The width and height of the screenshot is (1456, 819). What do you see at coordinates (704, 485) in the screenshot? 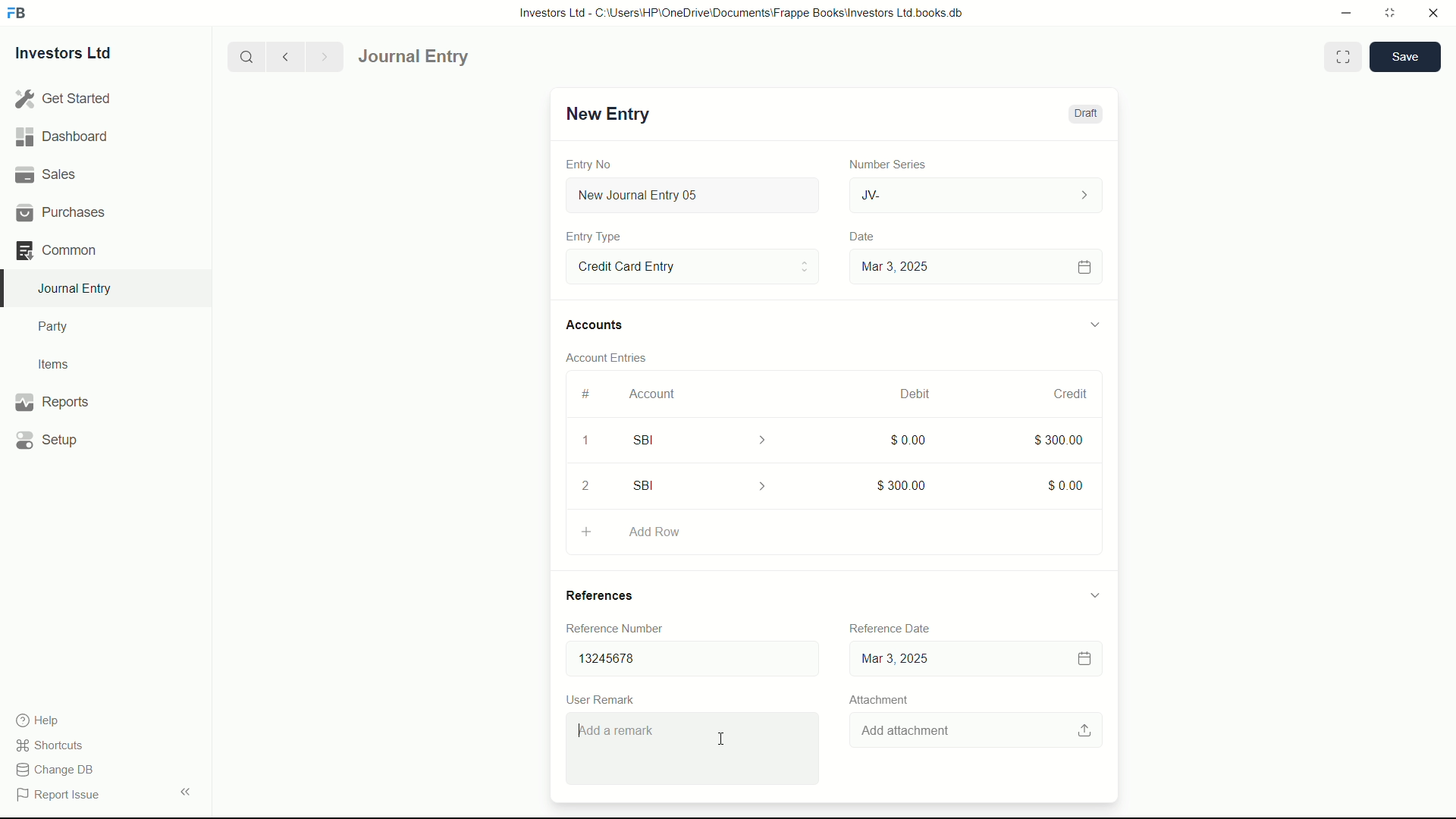
I see `SBI` at bounding box center [704, 485].